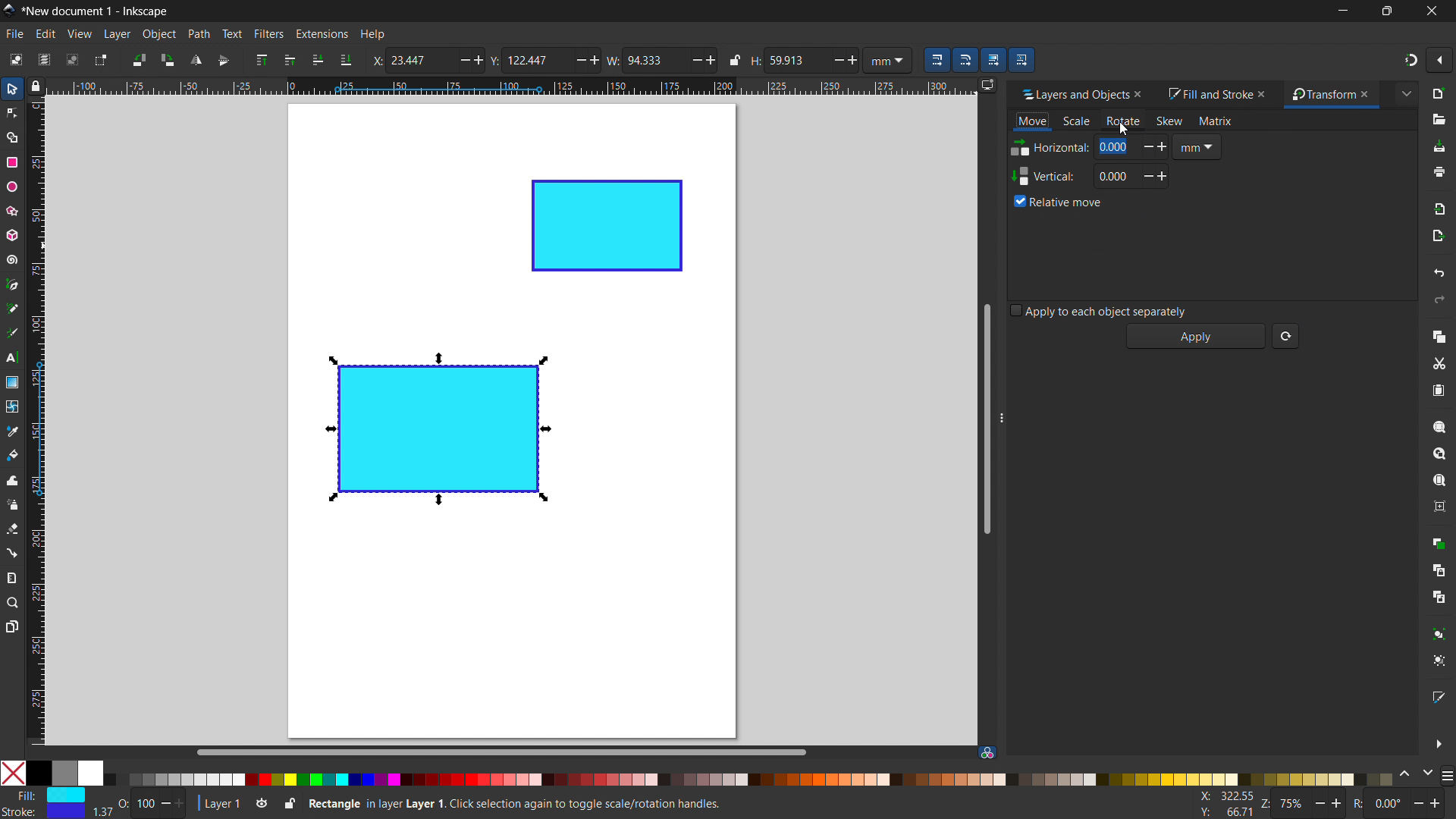 The image size is (1456, 819). I want to click on cut, so click(1439, 365).